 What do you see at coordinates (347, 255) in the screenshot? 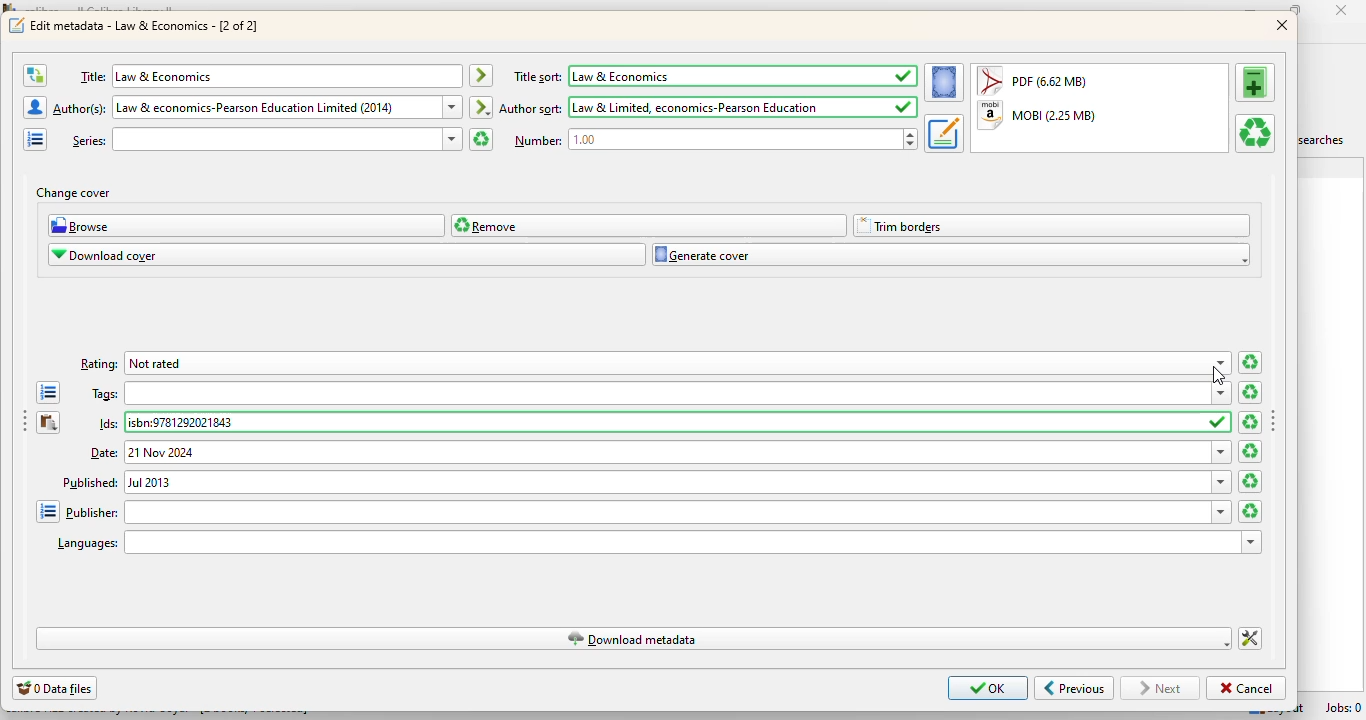
I see `download cover` at bounding box center [347, 255].